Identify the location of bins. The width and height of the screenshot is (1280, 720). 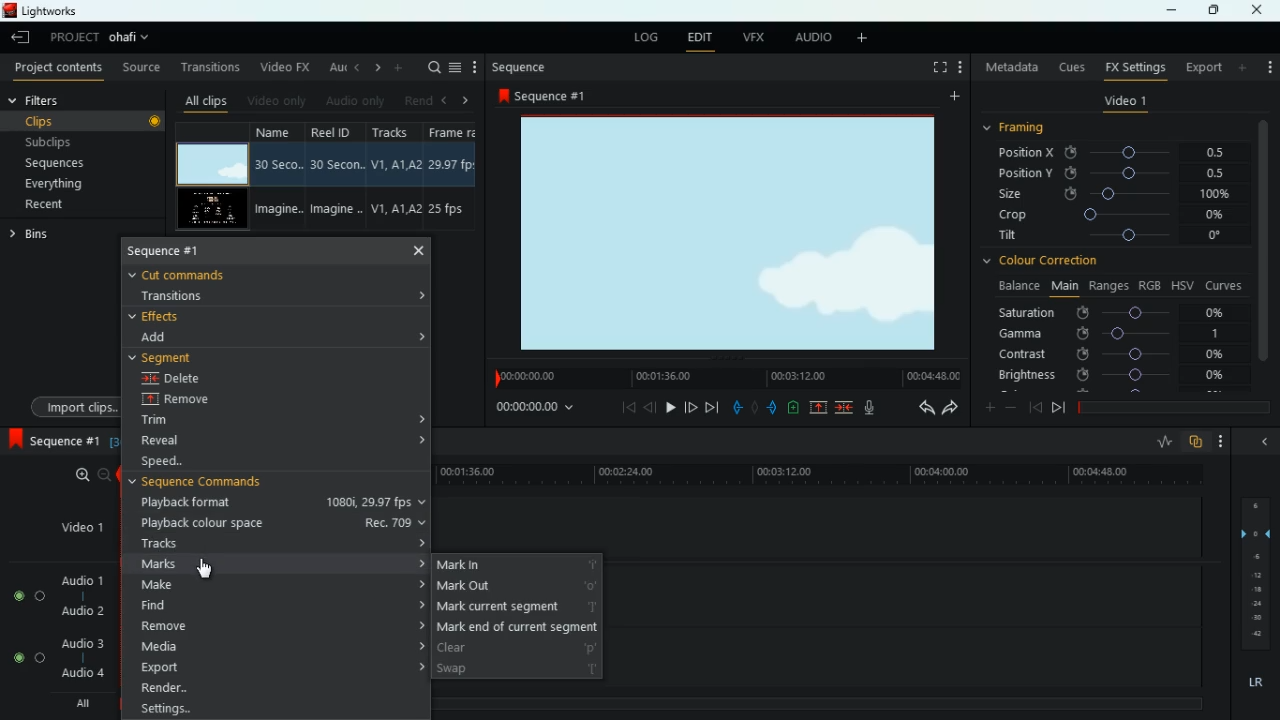
(34, 235).